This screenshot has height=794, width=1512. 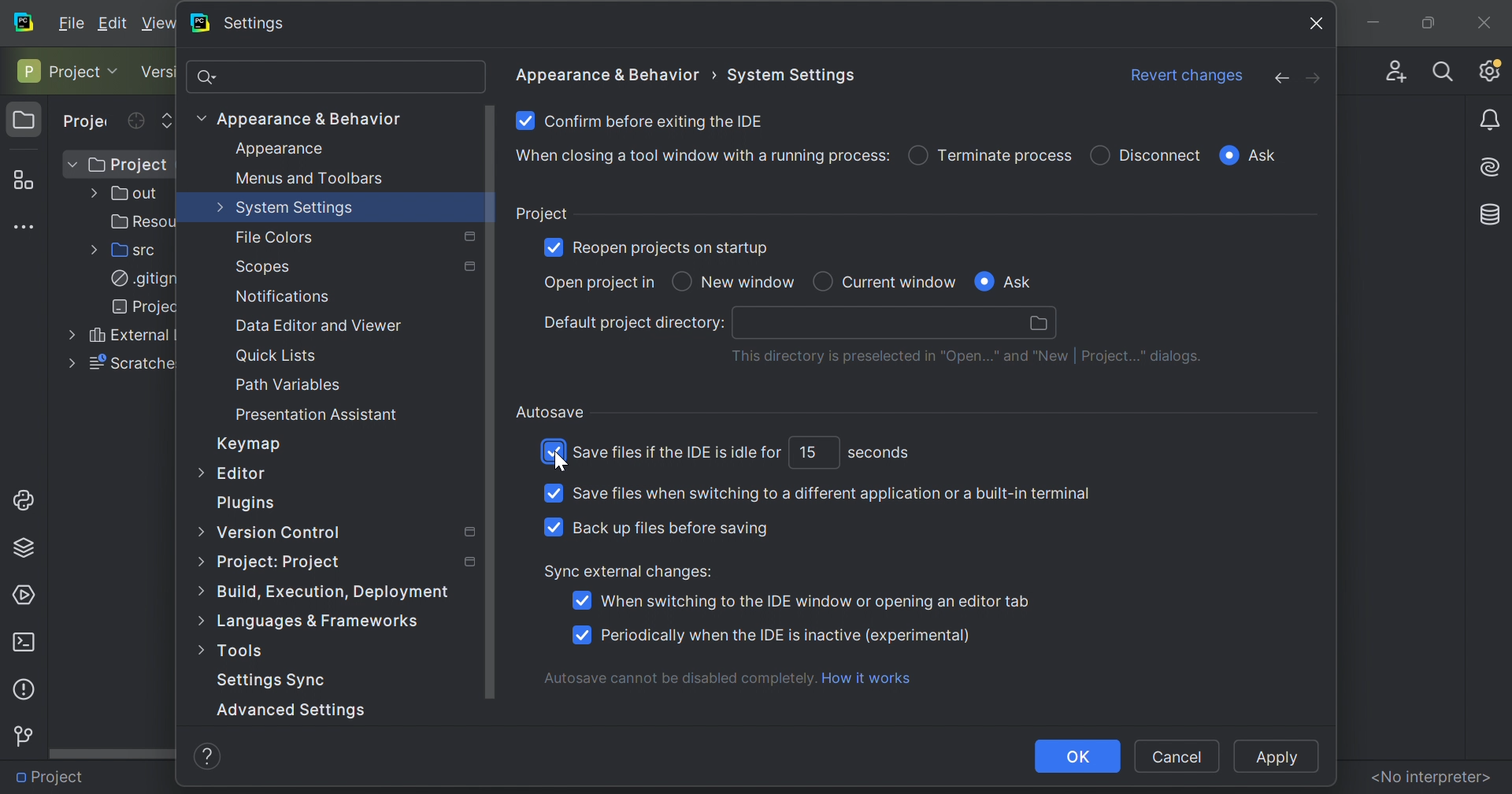 I want to click on Revert changes, so click(x=1189, y=74).